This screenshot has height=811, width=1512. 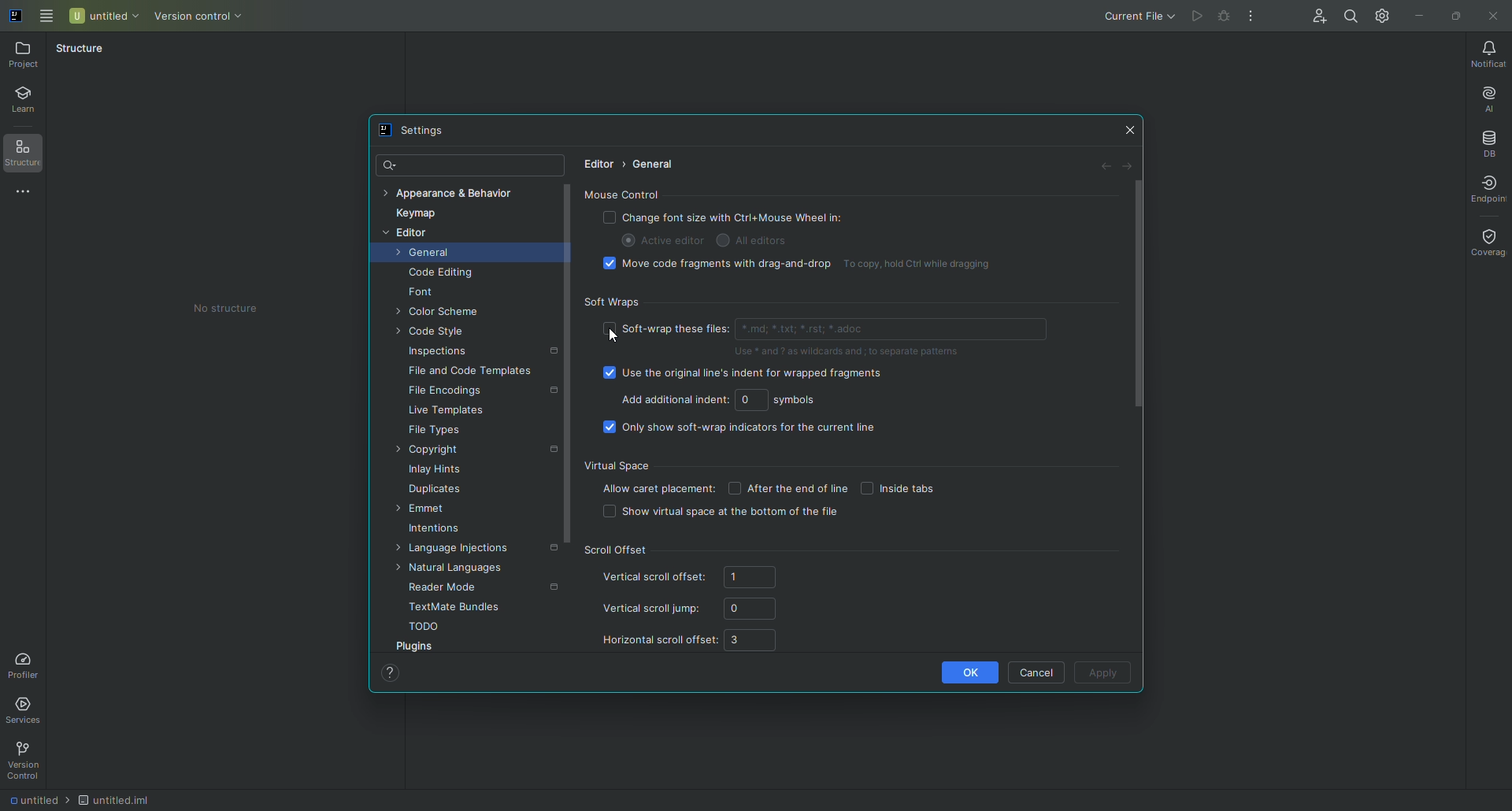 What do you see at coordinates (387, 162) in the screenshot?
I see `Search` at bounding box center [387, 162].